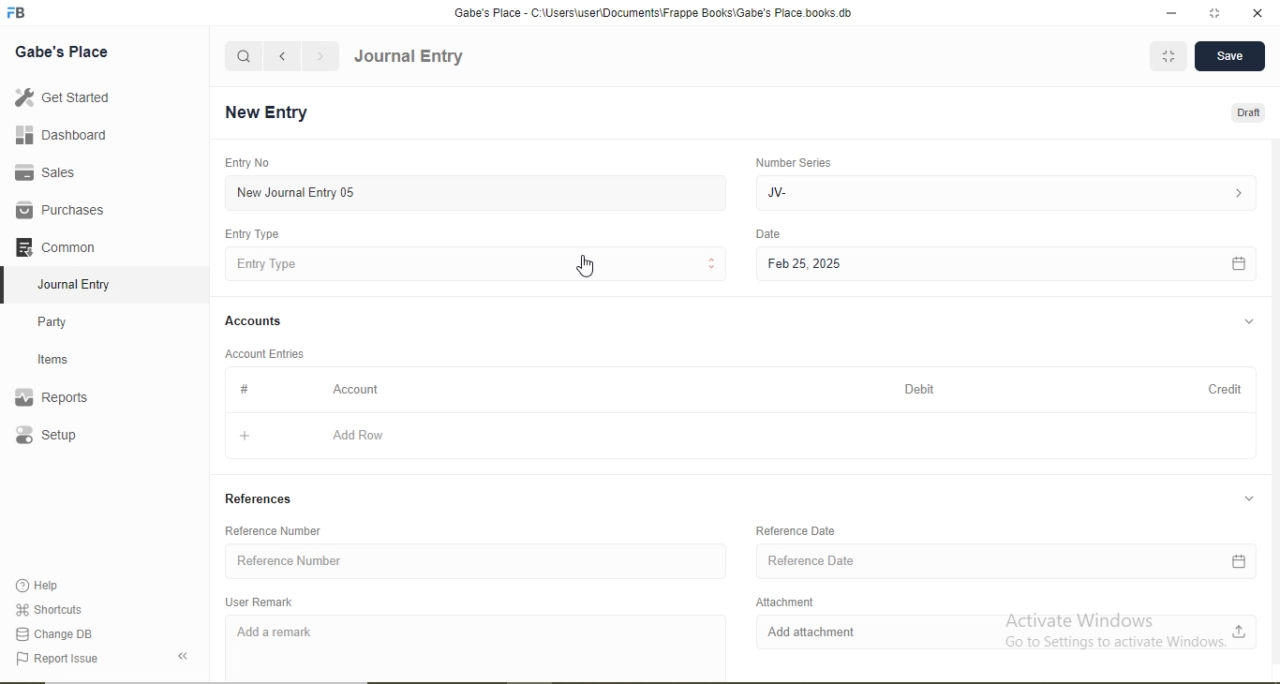 This screenshot has height=684, width=1280. I want to click on Reference Number, so click(278, 531).